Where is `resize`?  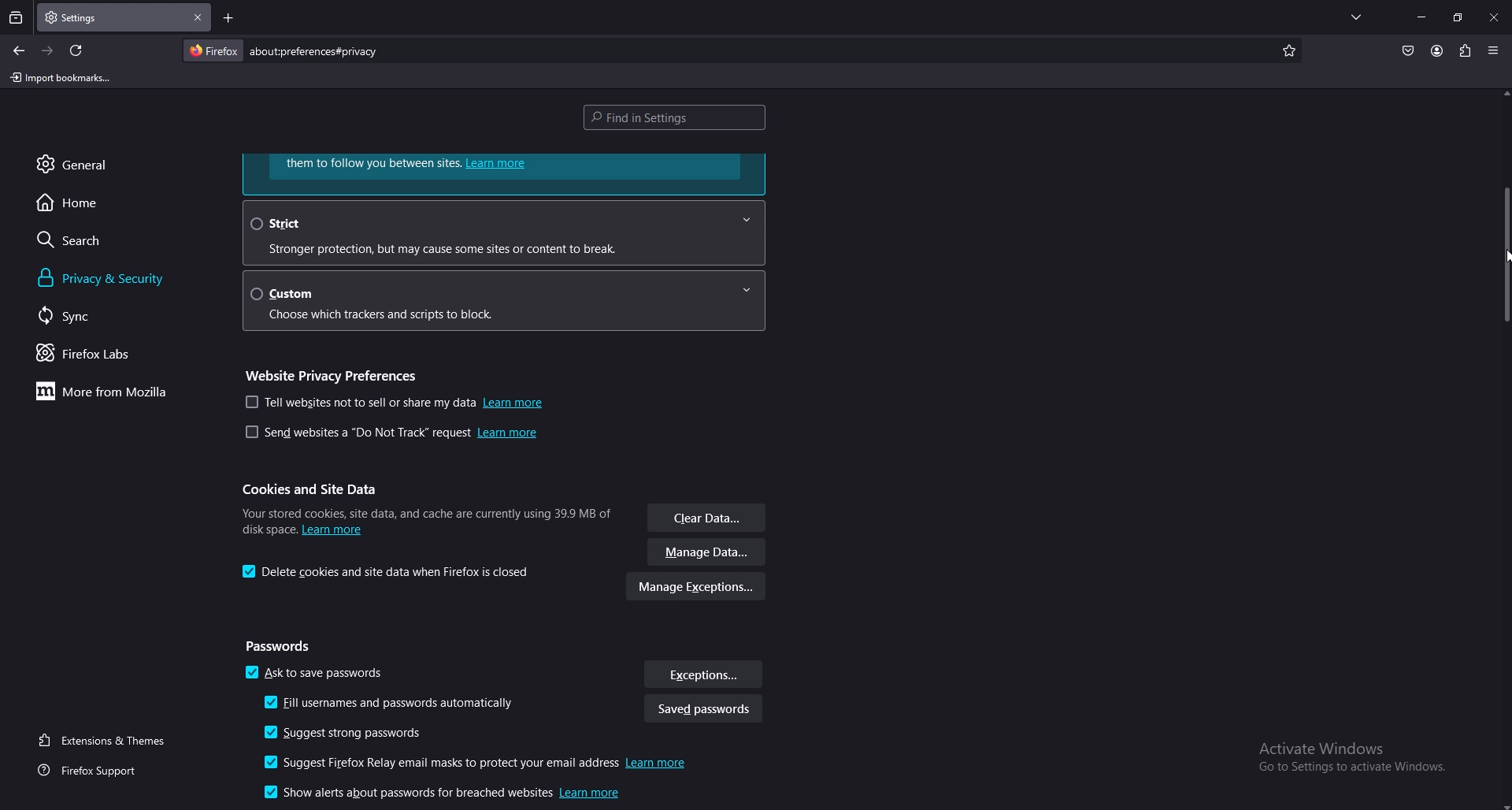 resize is located at coordinates (1457, 17).